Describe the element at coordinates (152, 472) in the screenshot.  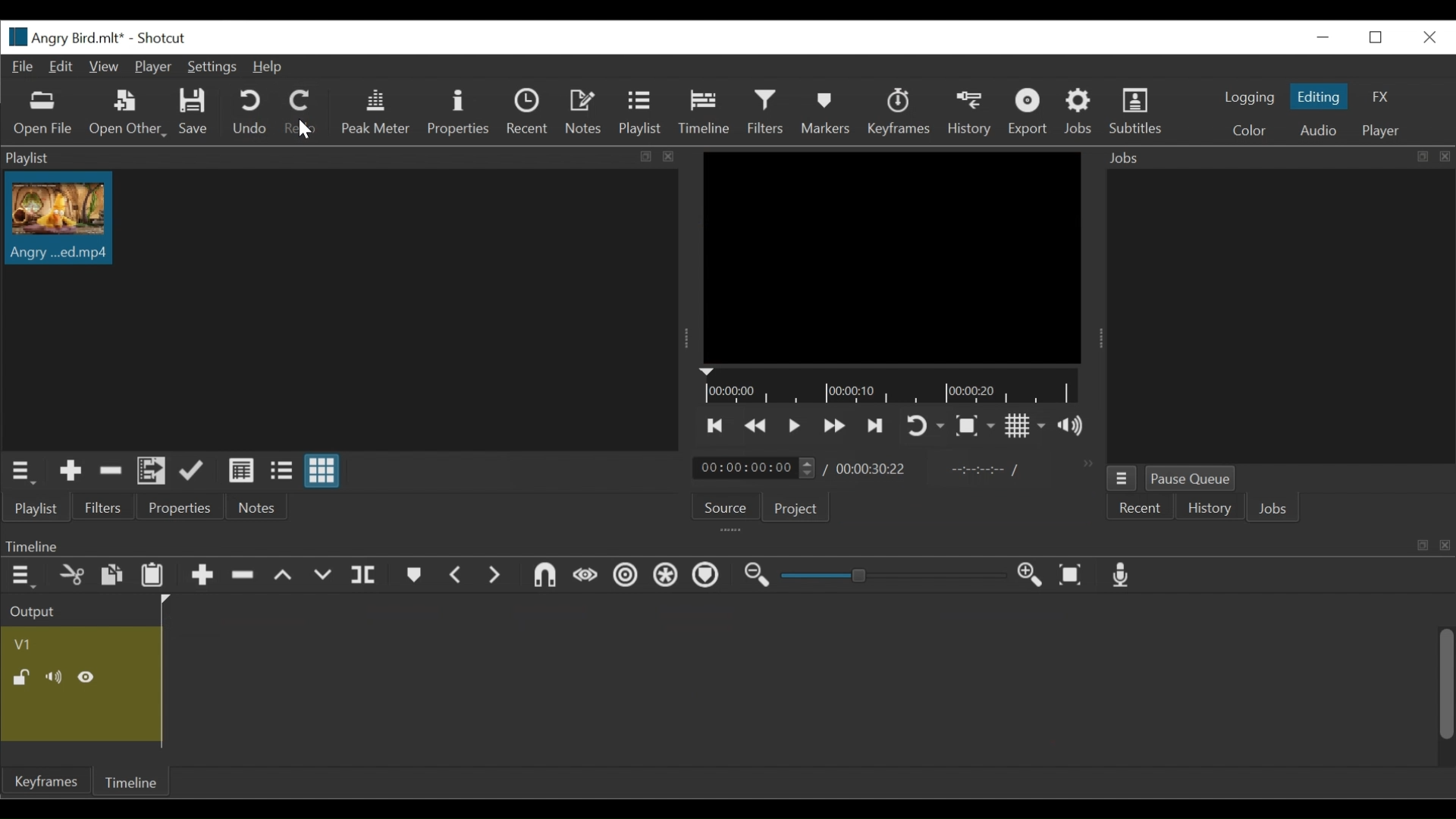
I see `Add files to the playlist` at that location.